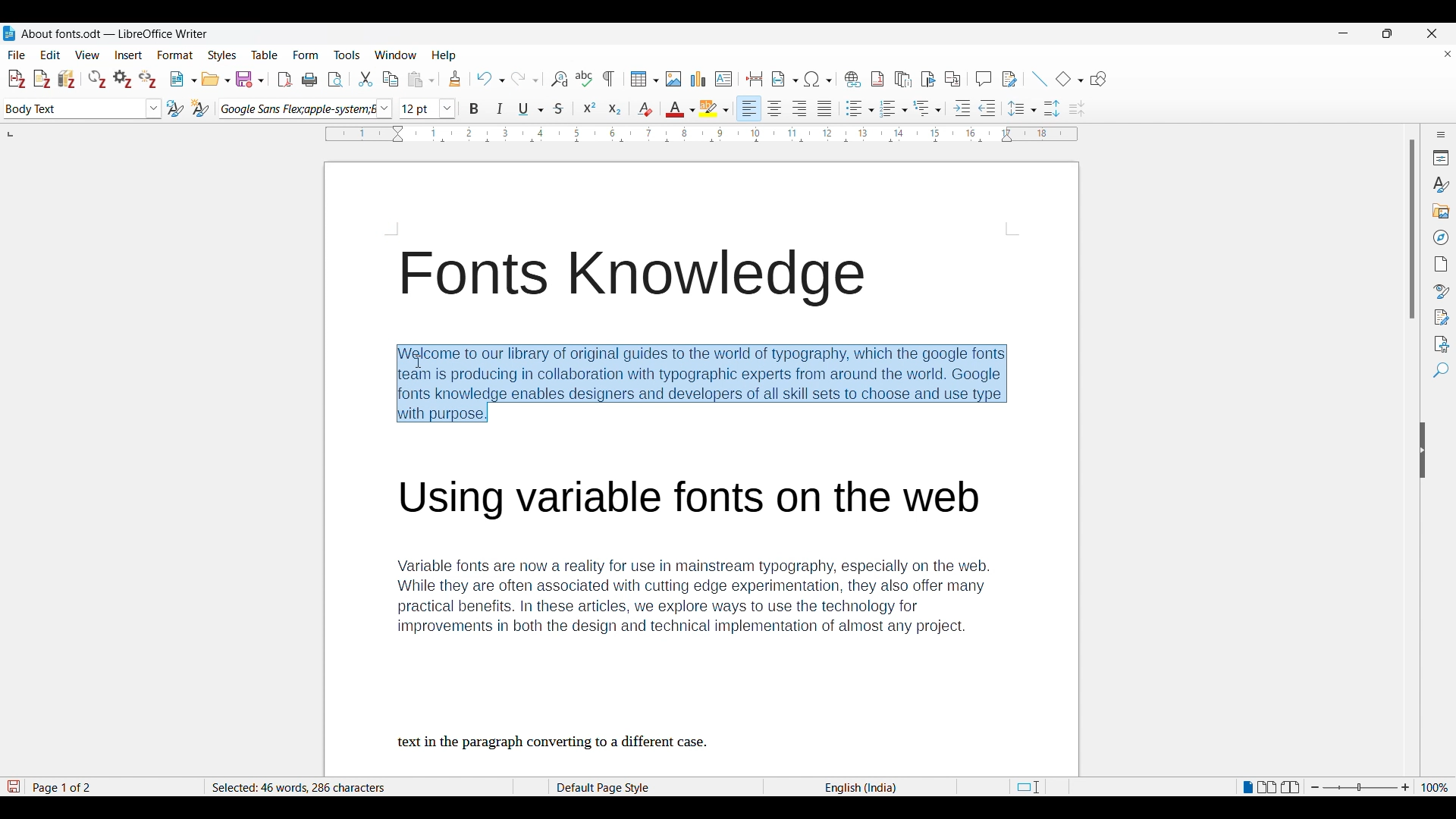  What do you see at coordinates (42, 80) in the screenshot?
I see `Add note` at bounding box center [42, 80].